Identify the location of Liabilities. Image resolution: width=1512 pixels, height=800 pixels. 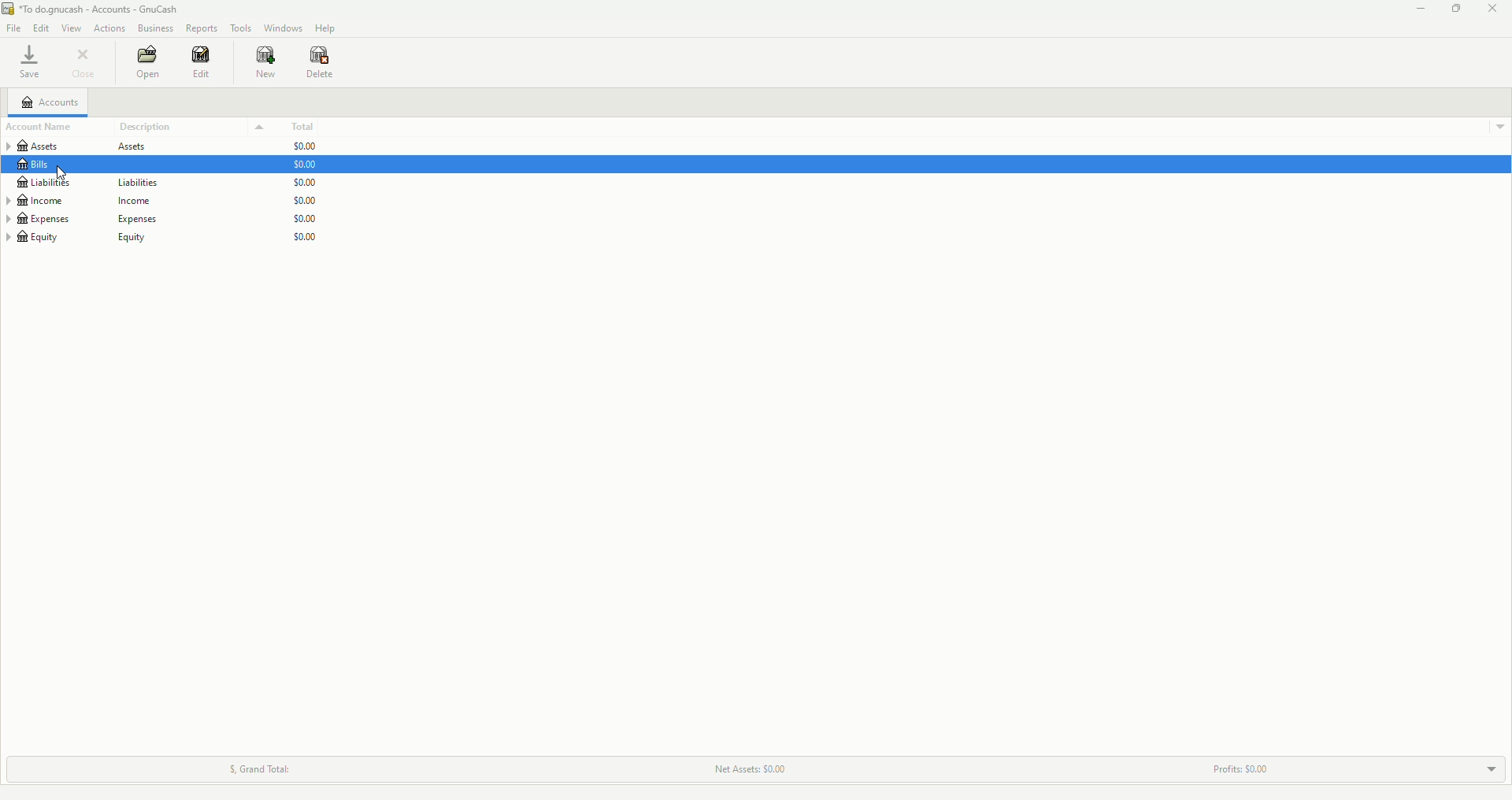
(120, 183).